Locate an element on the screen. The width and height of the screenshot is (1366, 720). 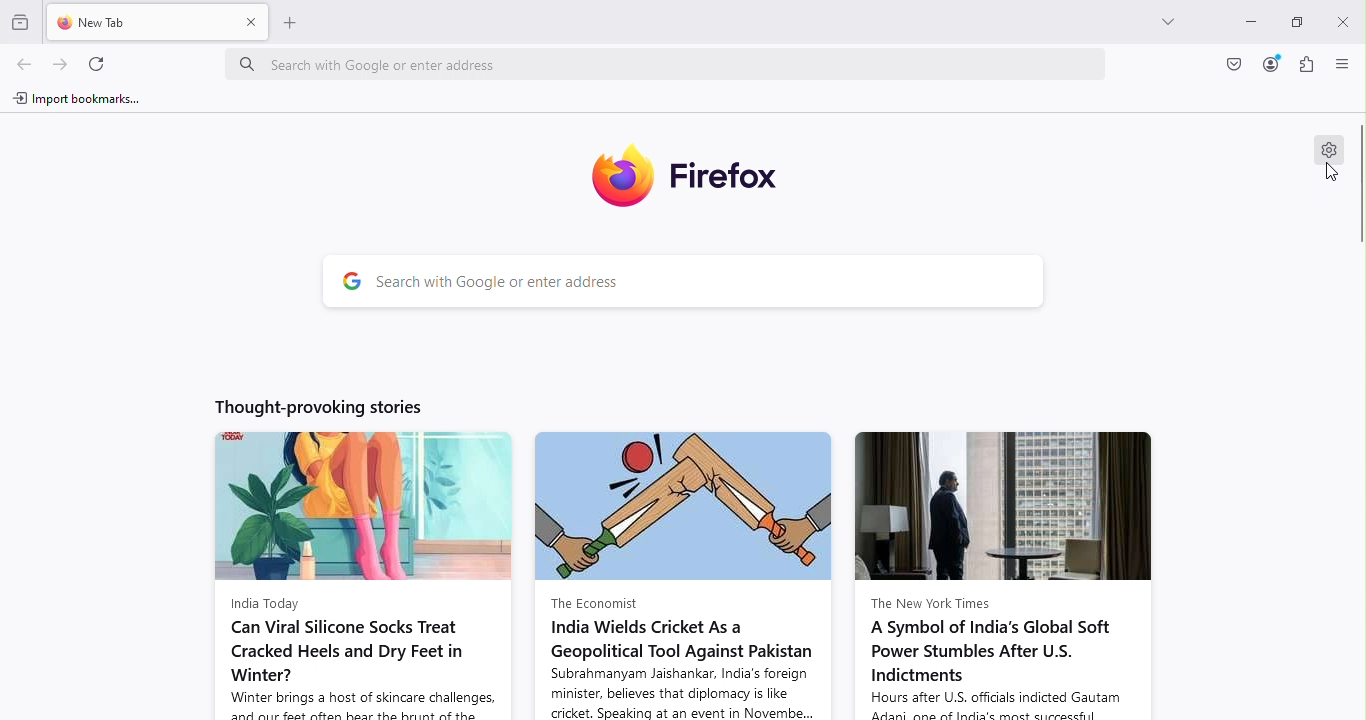
news article by economist is located at coordinates (686, 575).